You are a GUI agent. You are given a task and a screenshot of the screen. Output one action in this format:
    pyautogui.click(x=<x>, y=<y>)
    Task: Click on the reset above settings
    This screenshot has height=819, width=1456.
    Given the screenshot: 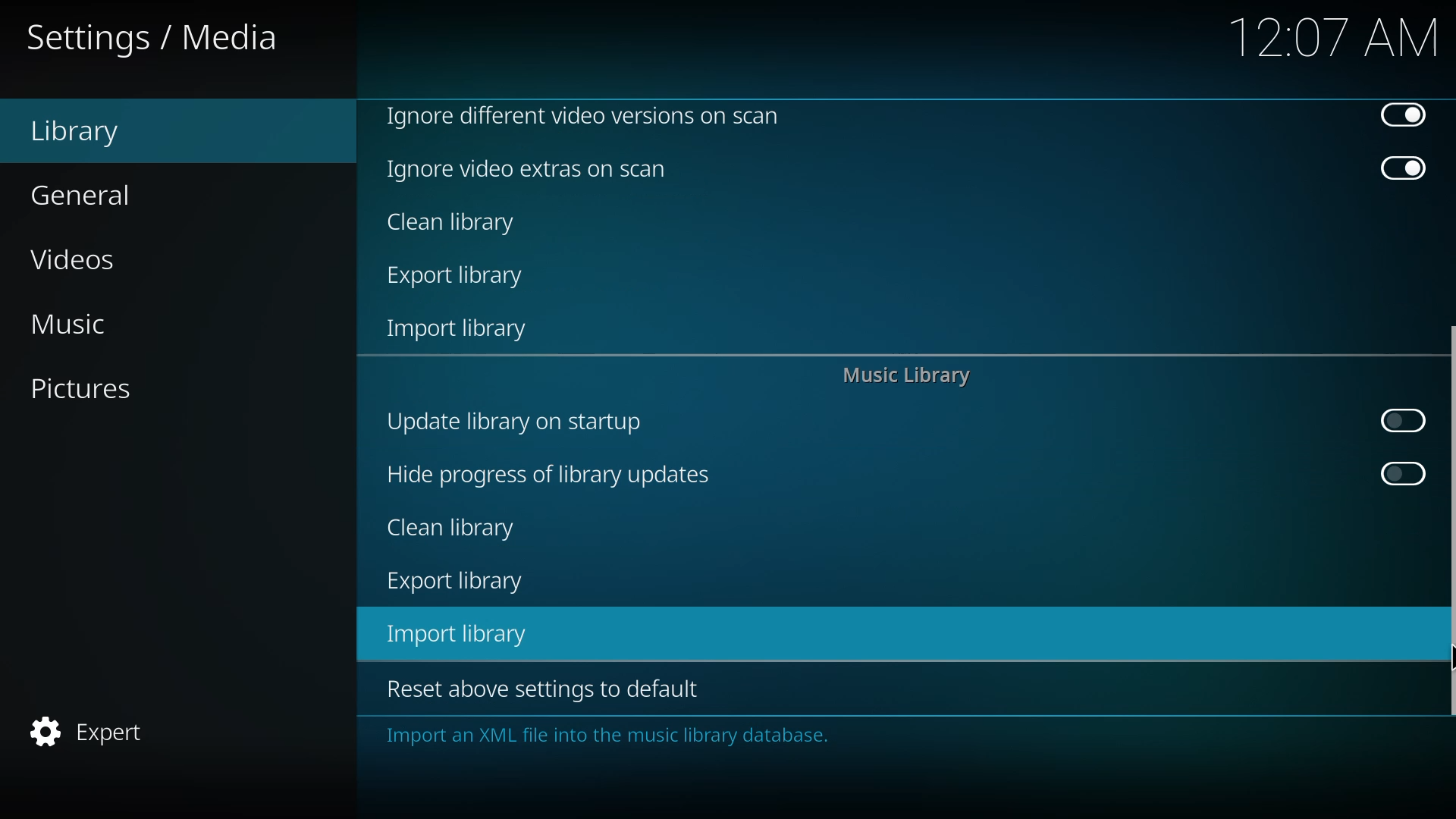 What is the action you would take?
    pyautogui.click(x=538, y=687)
    